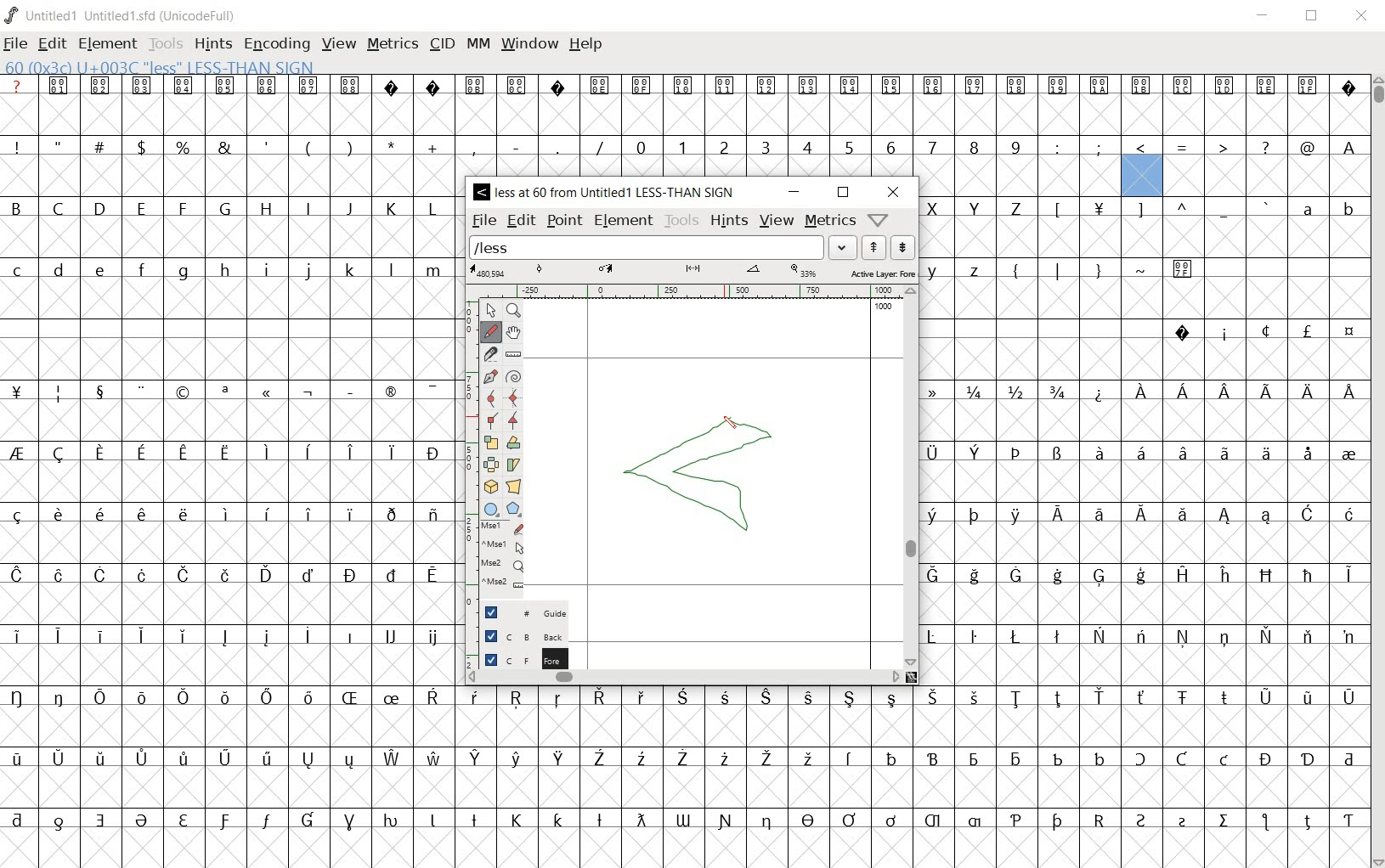  I want to click on edit, so click(54, 43).